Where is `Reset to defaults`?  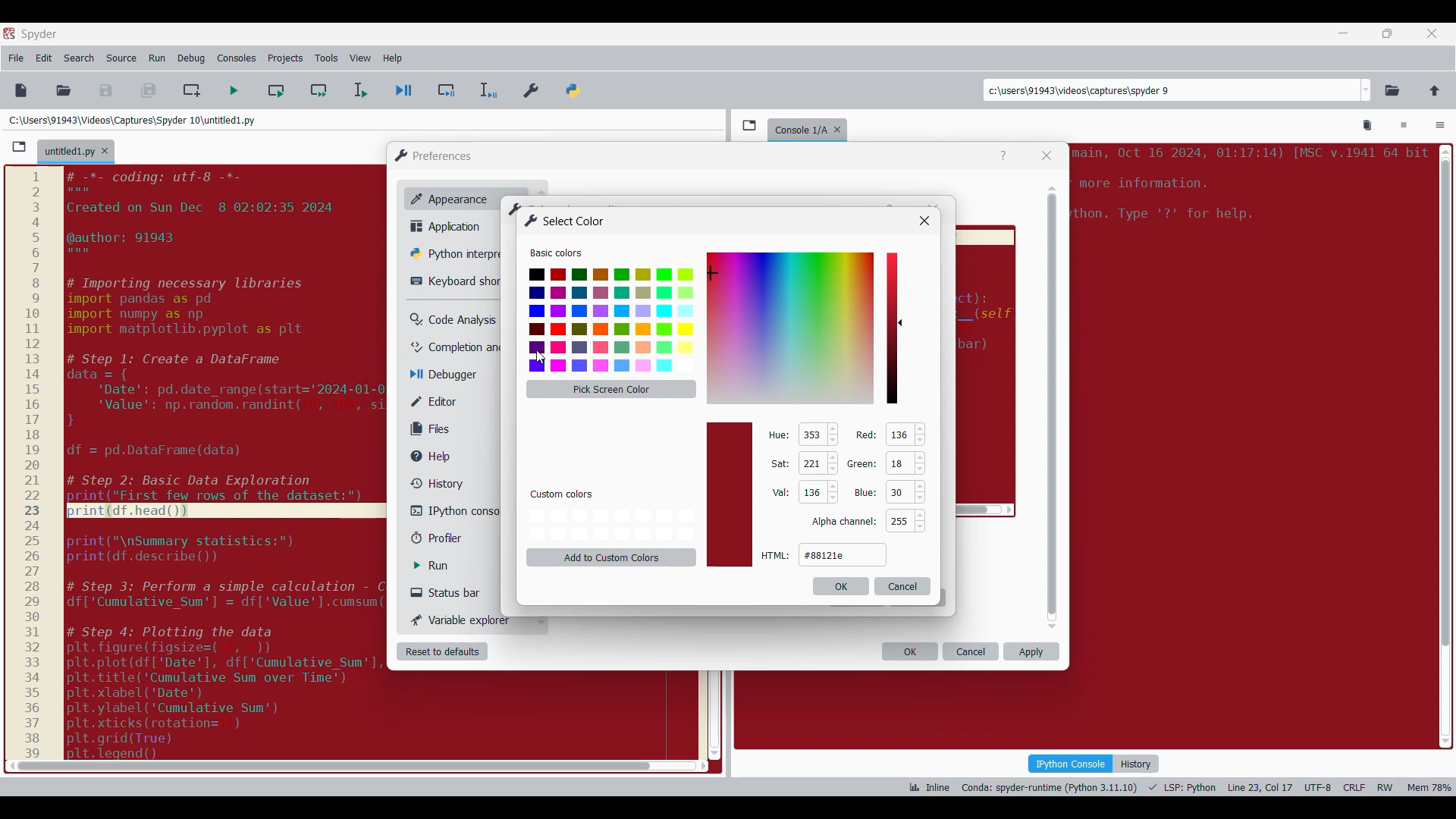 Reset to defaults is located at coordinates (442, 651).